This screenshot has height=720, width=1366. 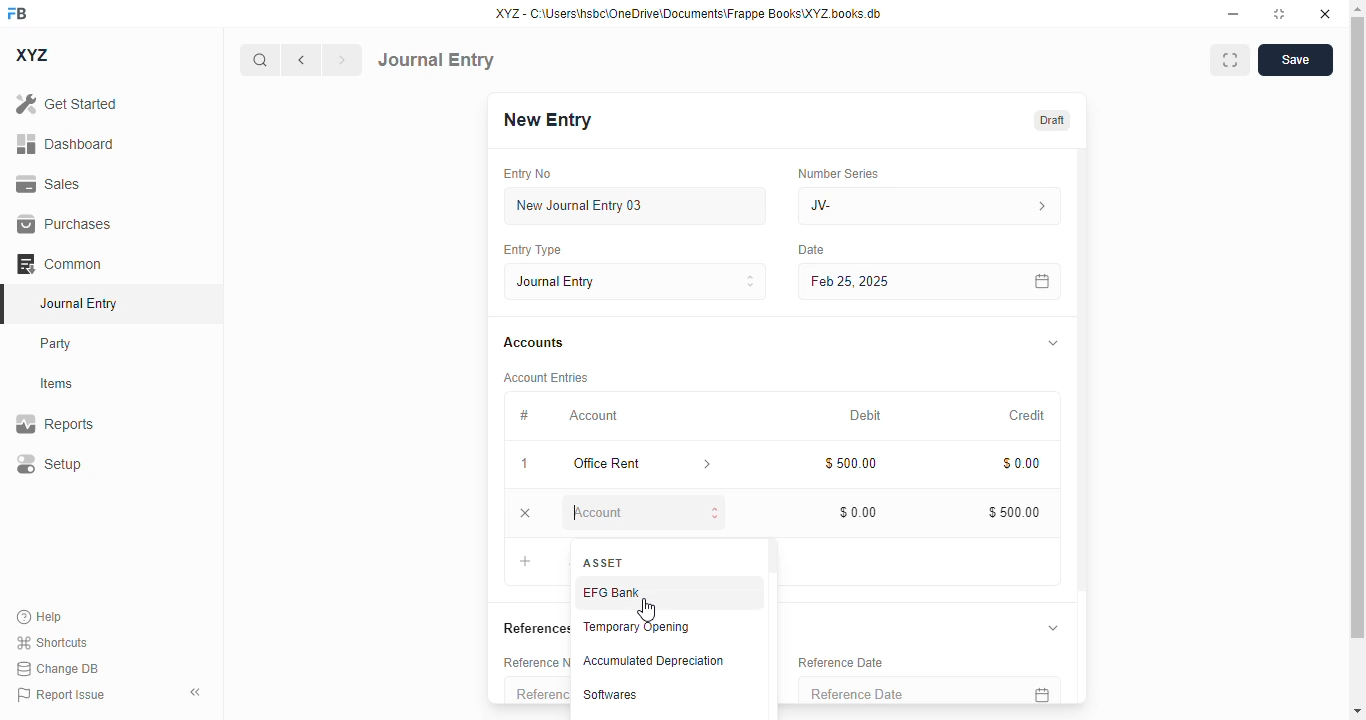 What do you see at coordinates (704, 466) in the screenshot?
I see `account information` at bounding box center [704, 466].